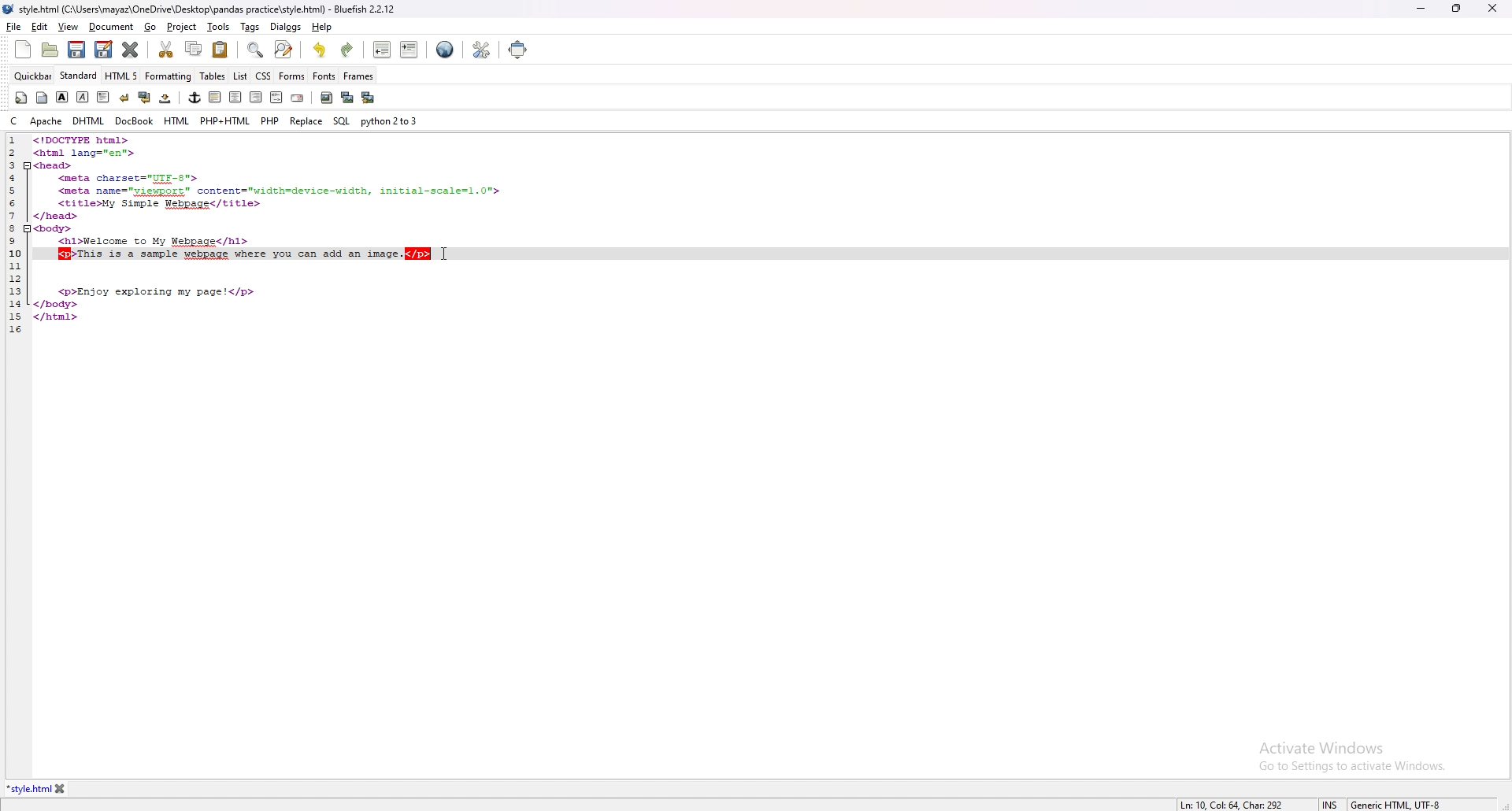 This screenshot has width=1512, height=811. Describe the element at coordinates (209, 9) in the screenshot. I see `style.htm| (C:A\Users\mayaz\OneDrive\Desktop\pandas practice\style.html) - Bluefish 2.2.12` at that location.